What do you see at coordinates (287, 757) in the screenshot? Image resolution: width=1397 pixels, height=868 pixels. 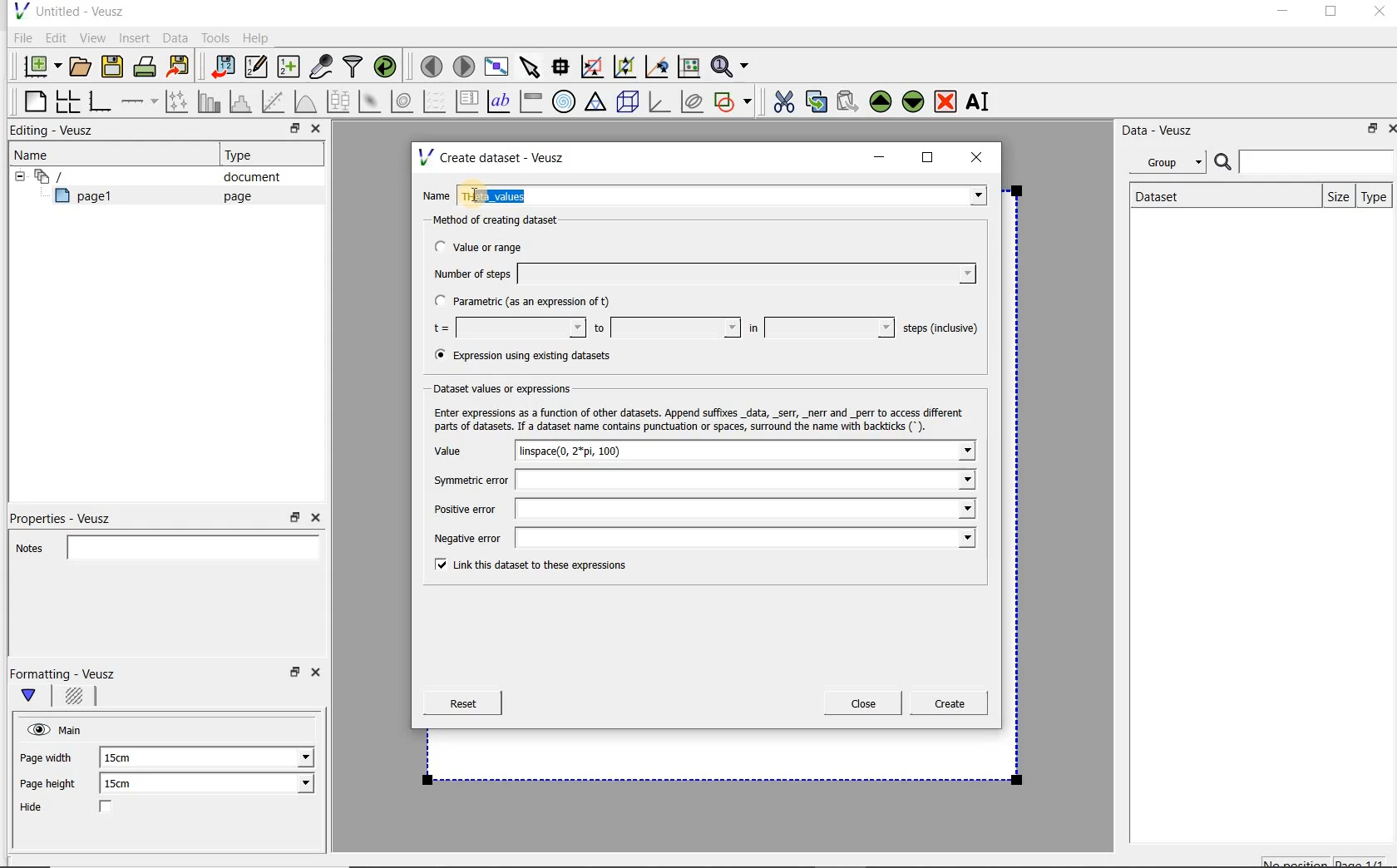 I see `Page width dropdown` at bounding box center [287, 757].